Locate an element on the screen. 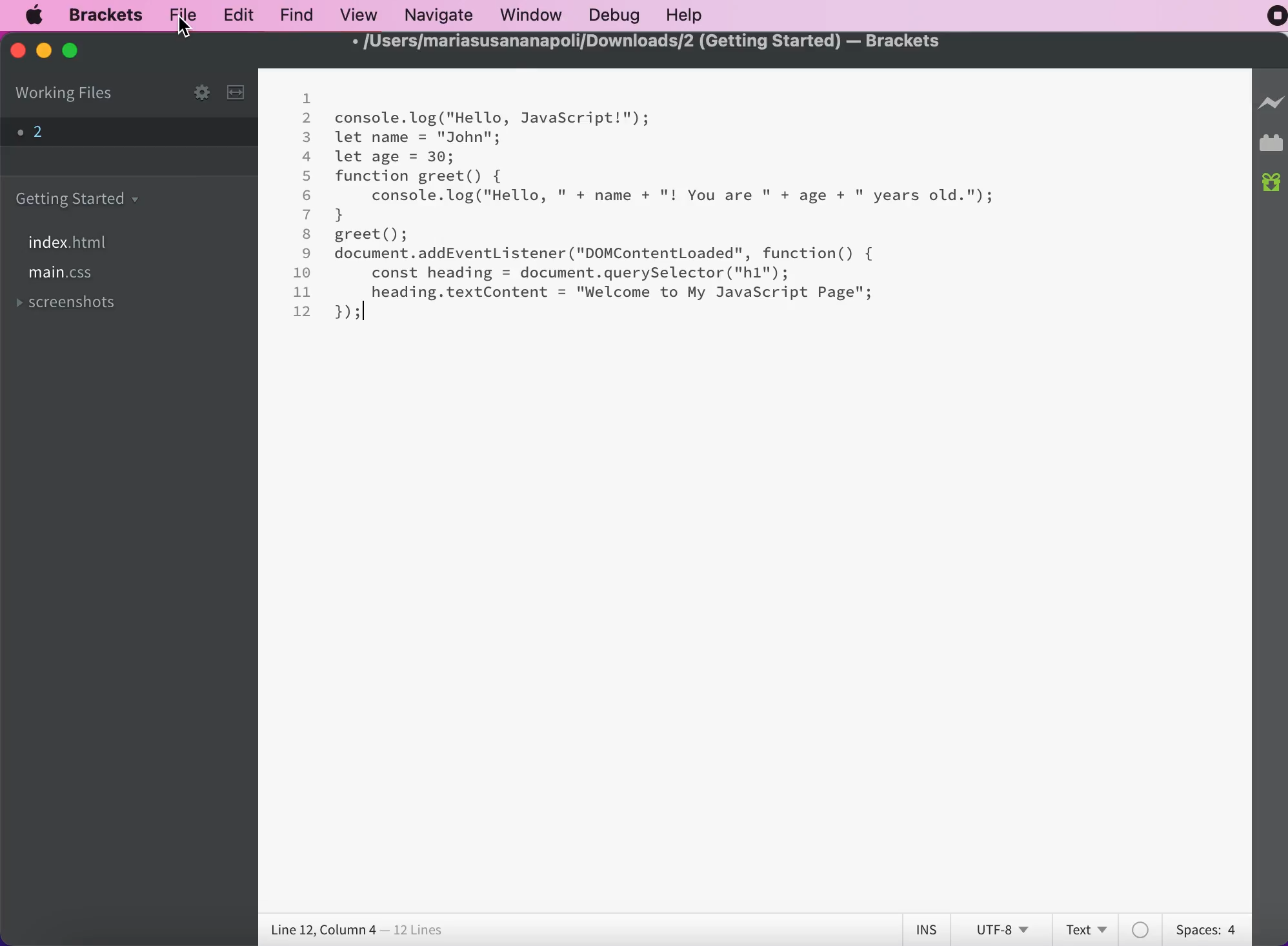 The image size is (1288, 946). 4 is located at coordinates (307, 156).